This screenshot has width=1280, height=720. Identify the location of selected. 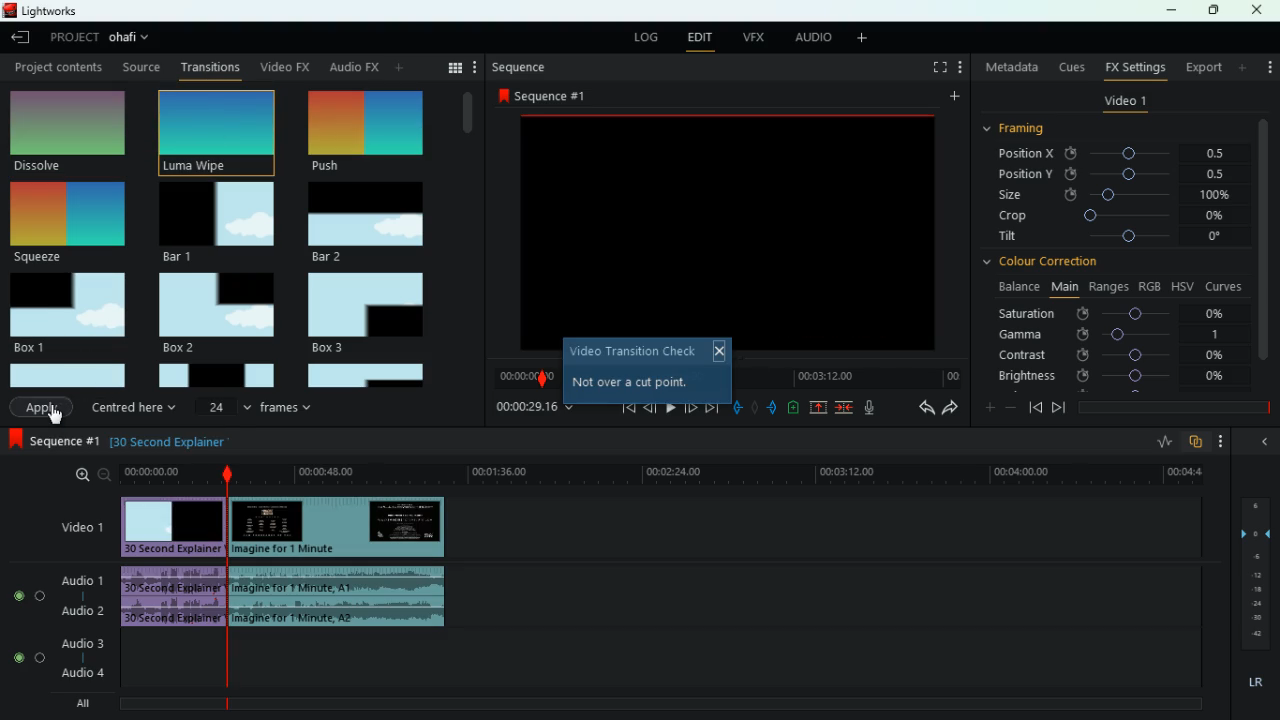
(369, 132).